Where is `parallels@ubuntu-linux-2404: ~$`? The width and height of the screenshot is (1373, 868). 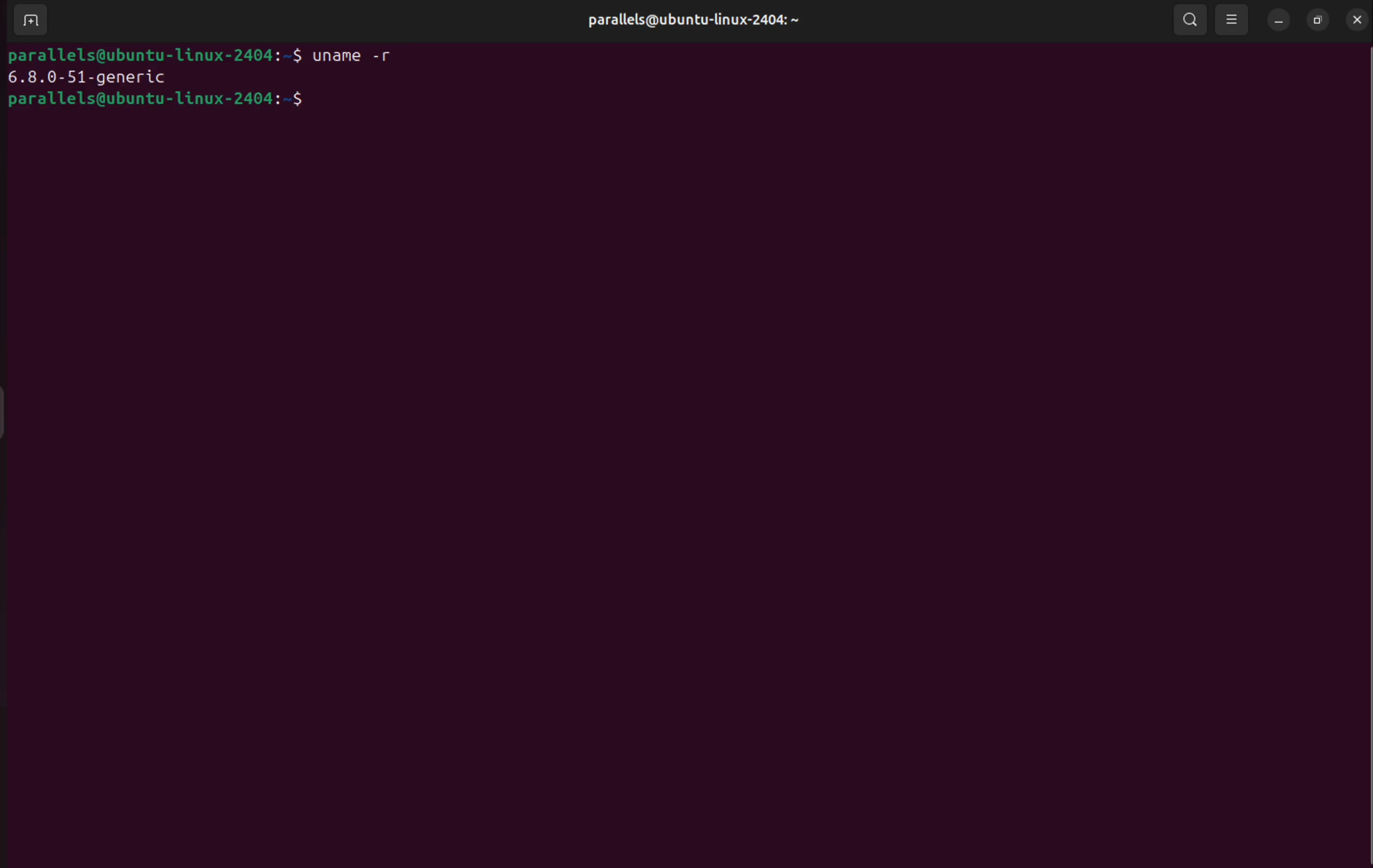
parallels@ubuntu-linux-2404: ~$ is located at coordinates (153, 52).